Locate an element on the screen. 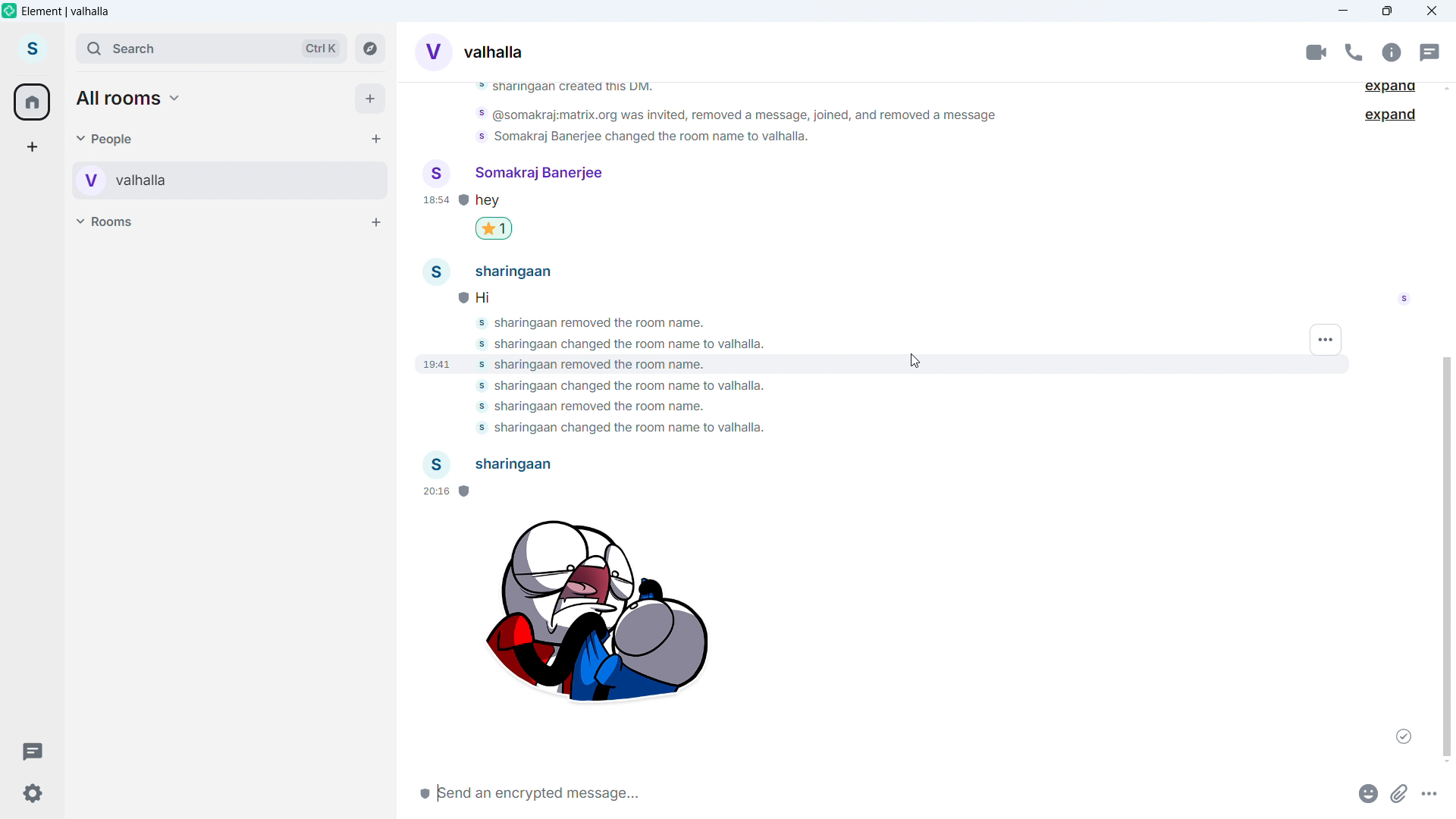  @somakraj:matrix.org was invited, removed a message, joined, and removed a message is located at coordinates (733, 115).